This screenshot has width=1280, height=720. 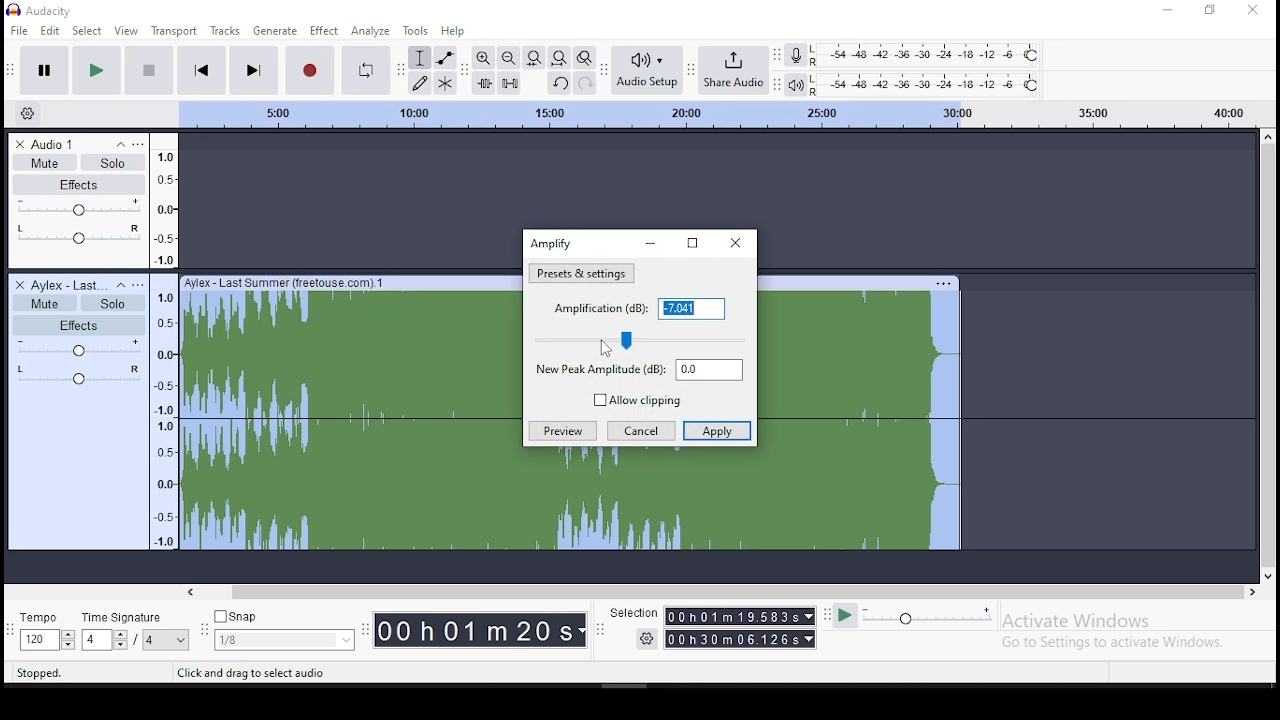 I want to click on open menu, so click(x=139, y=142).